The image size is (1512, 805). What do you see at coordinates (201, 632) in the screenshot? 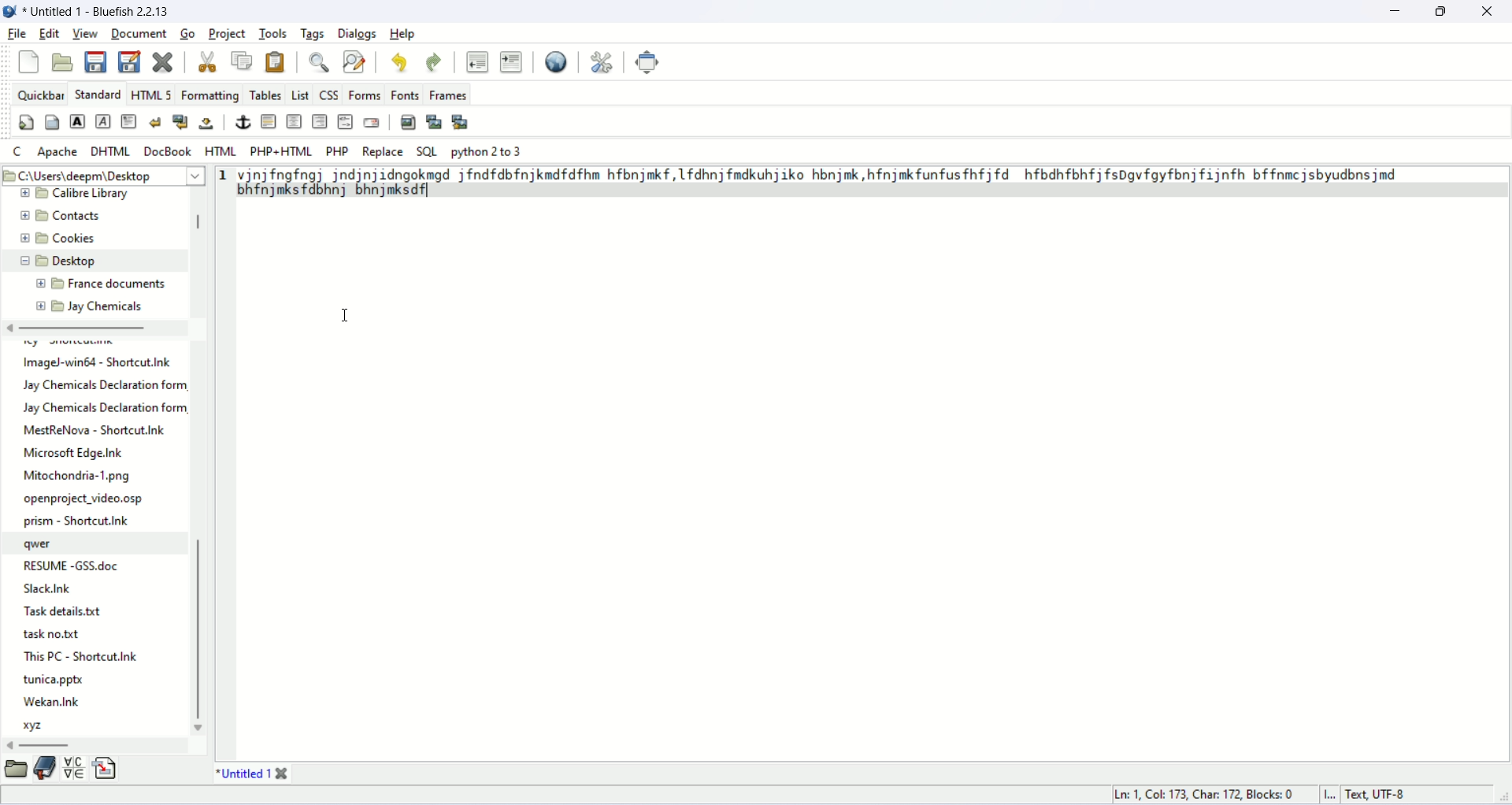
I see `vertical scroll bar` at bounding box center [201, 632].